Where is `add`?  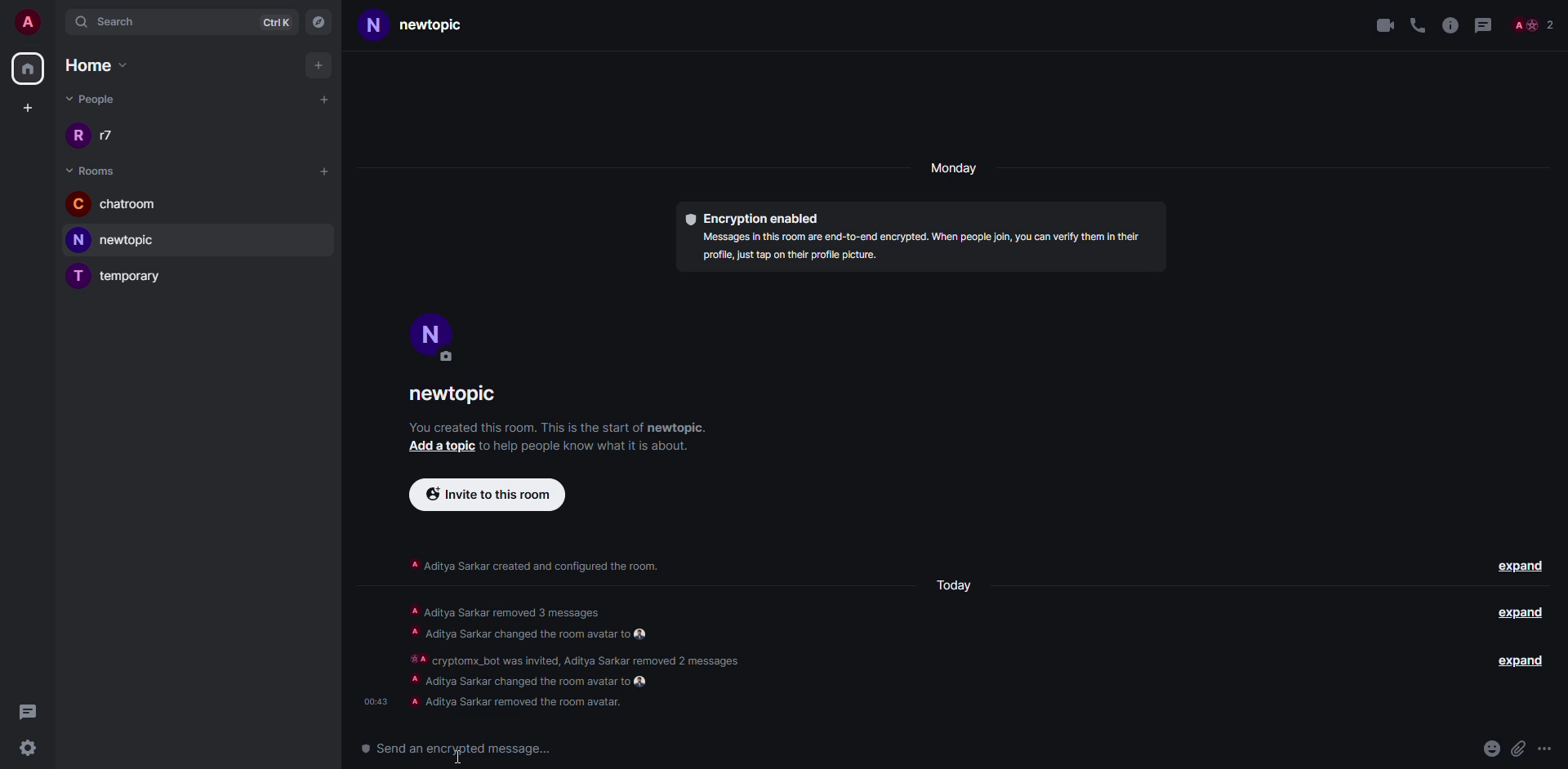
add is located at coordinates (325, 98).